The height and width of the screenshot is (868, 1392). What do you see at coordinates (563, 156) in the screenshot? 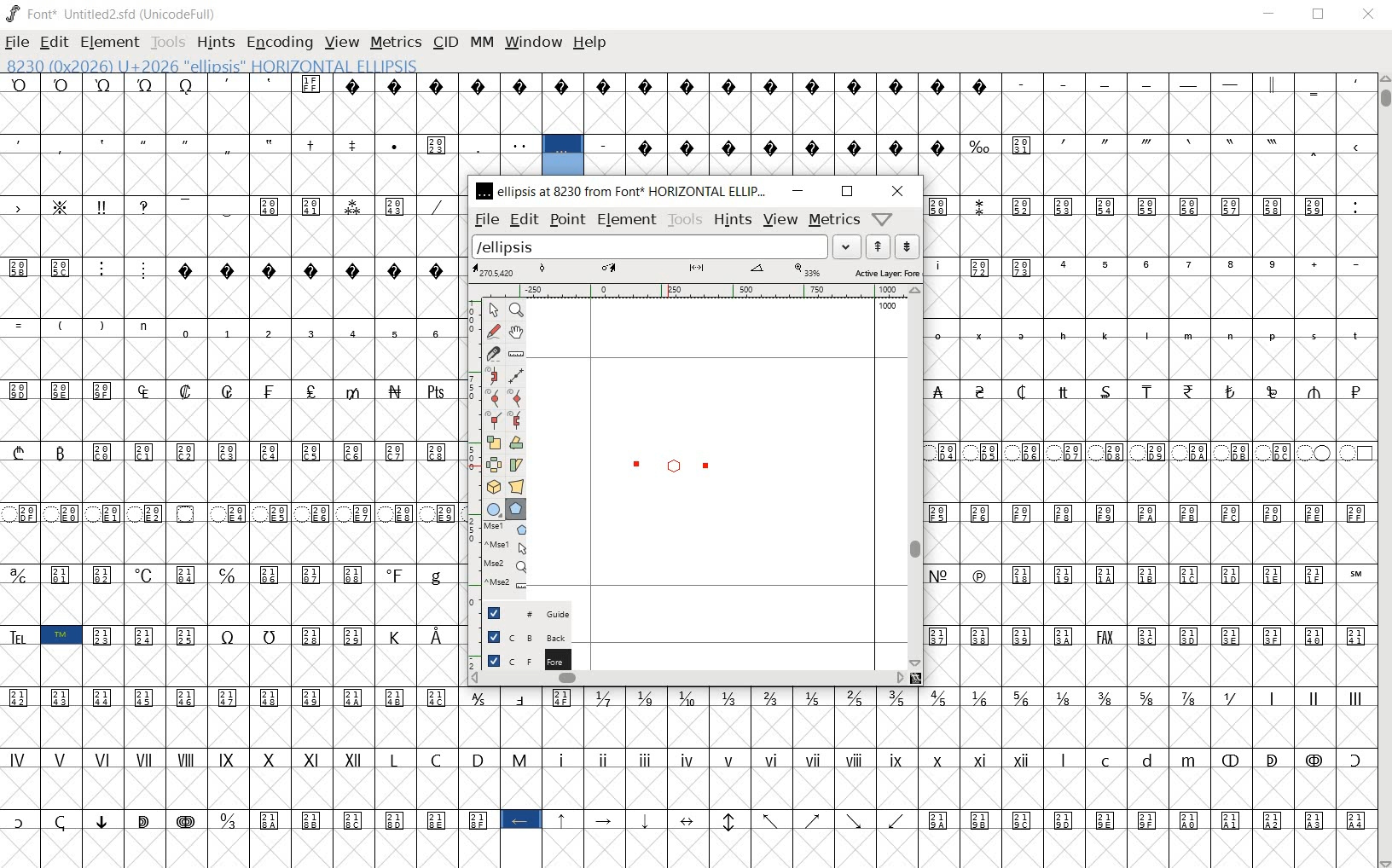
I see `8230 (0x2026) U+2026 "ELLIPSIS" HORIZONTAL ELLIPSIS` at bounding box center [563, 156].